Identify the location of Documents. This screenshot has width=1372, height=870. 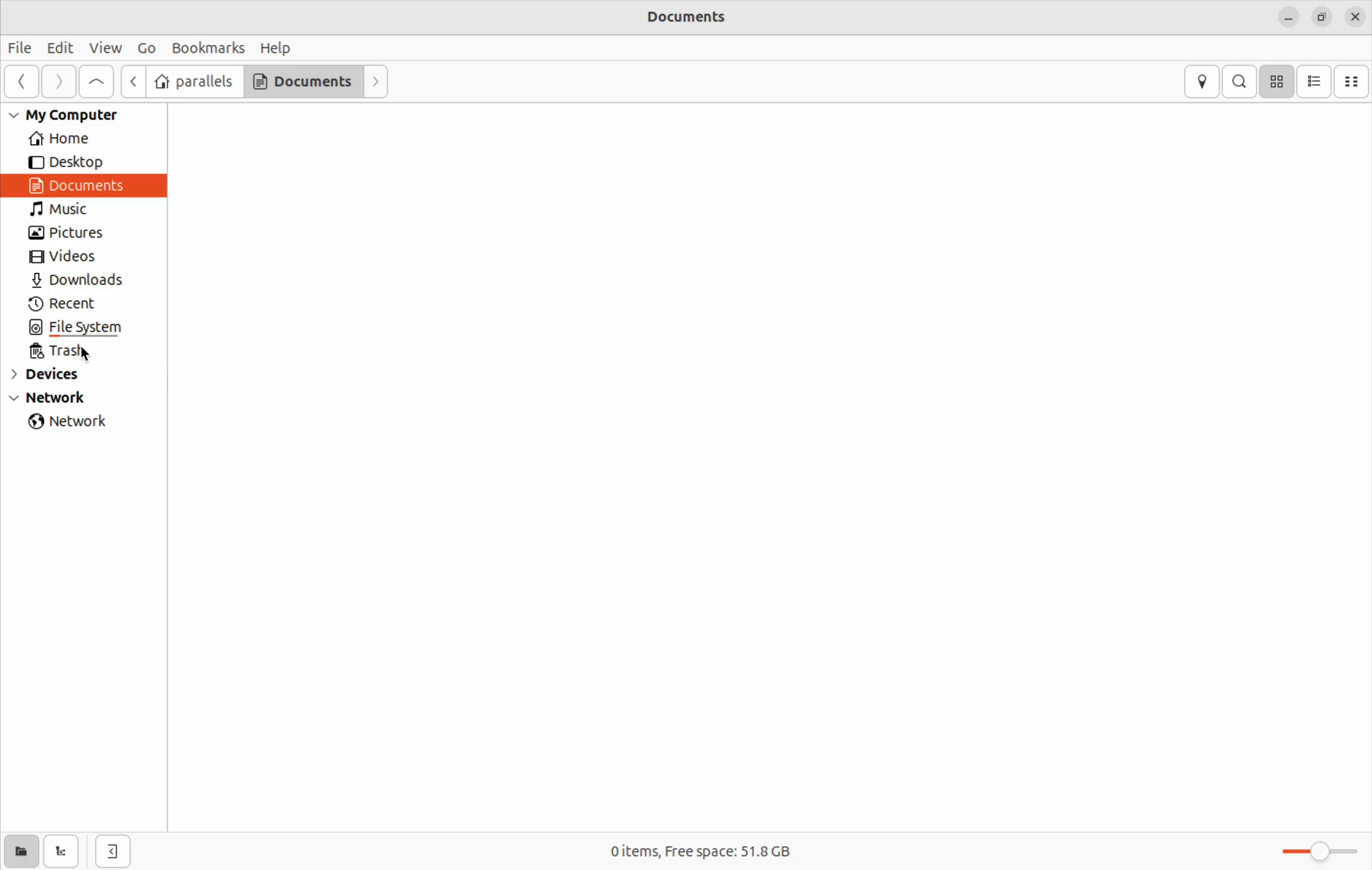
(303, 79).